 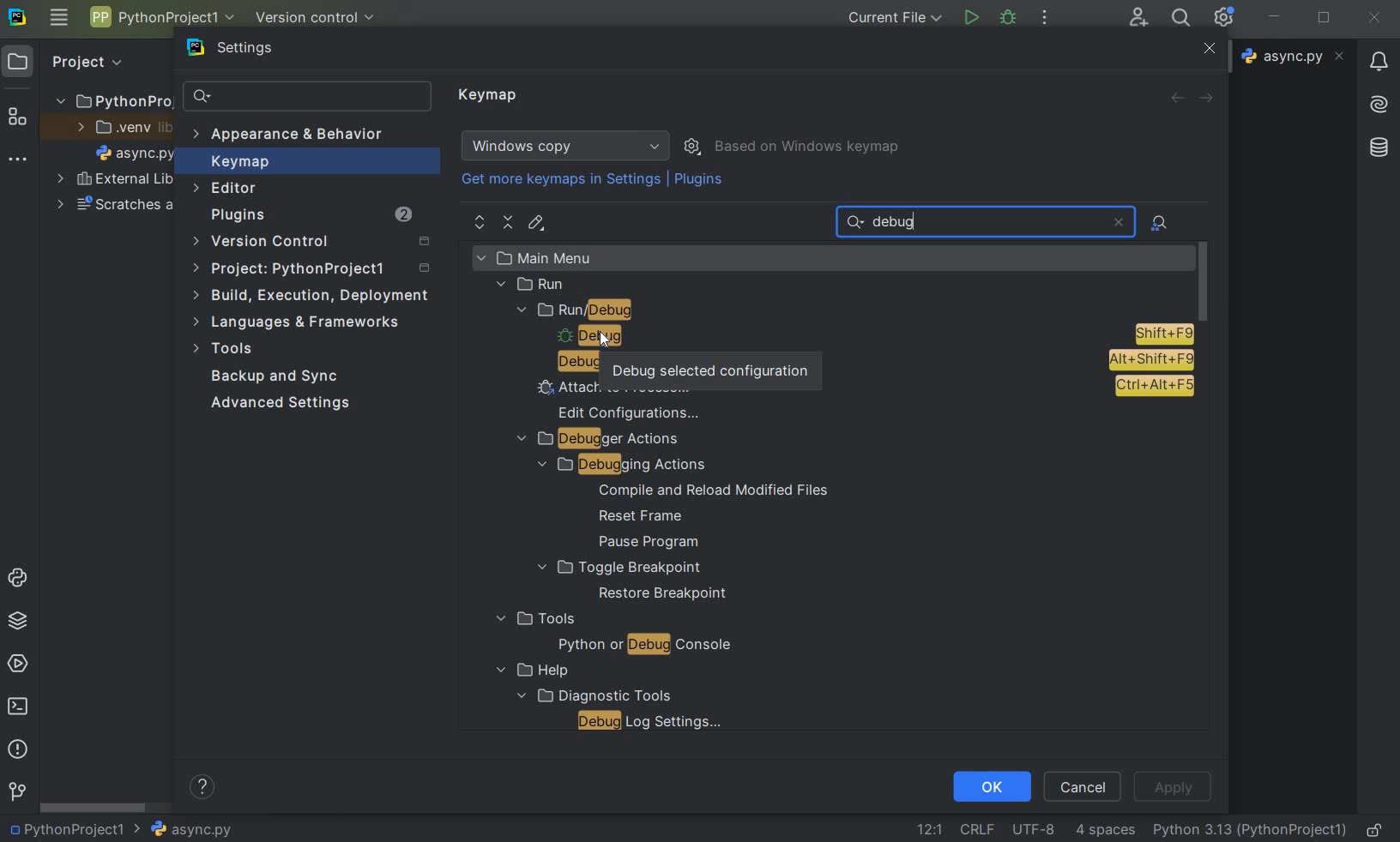 I want to click on indent, so click(x=1105, y=830).